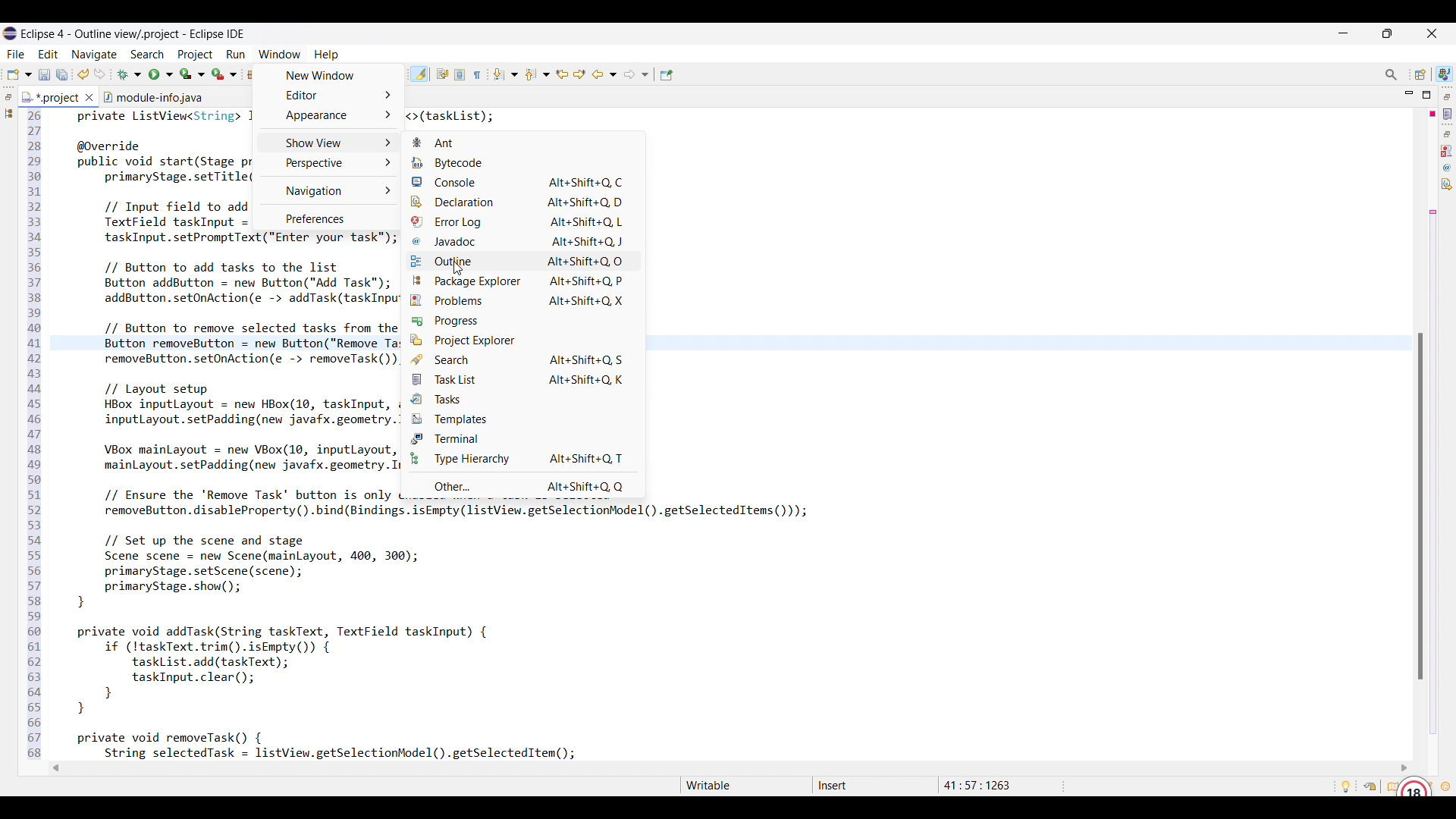 This screenshot has width=1456, height=819. What do you see at coordinates (521, 202) in the screenshot?
I see `Declaration` at bounding box center [521, 202].